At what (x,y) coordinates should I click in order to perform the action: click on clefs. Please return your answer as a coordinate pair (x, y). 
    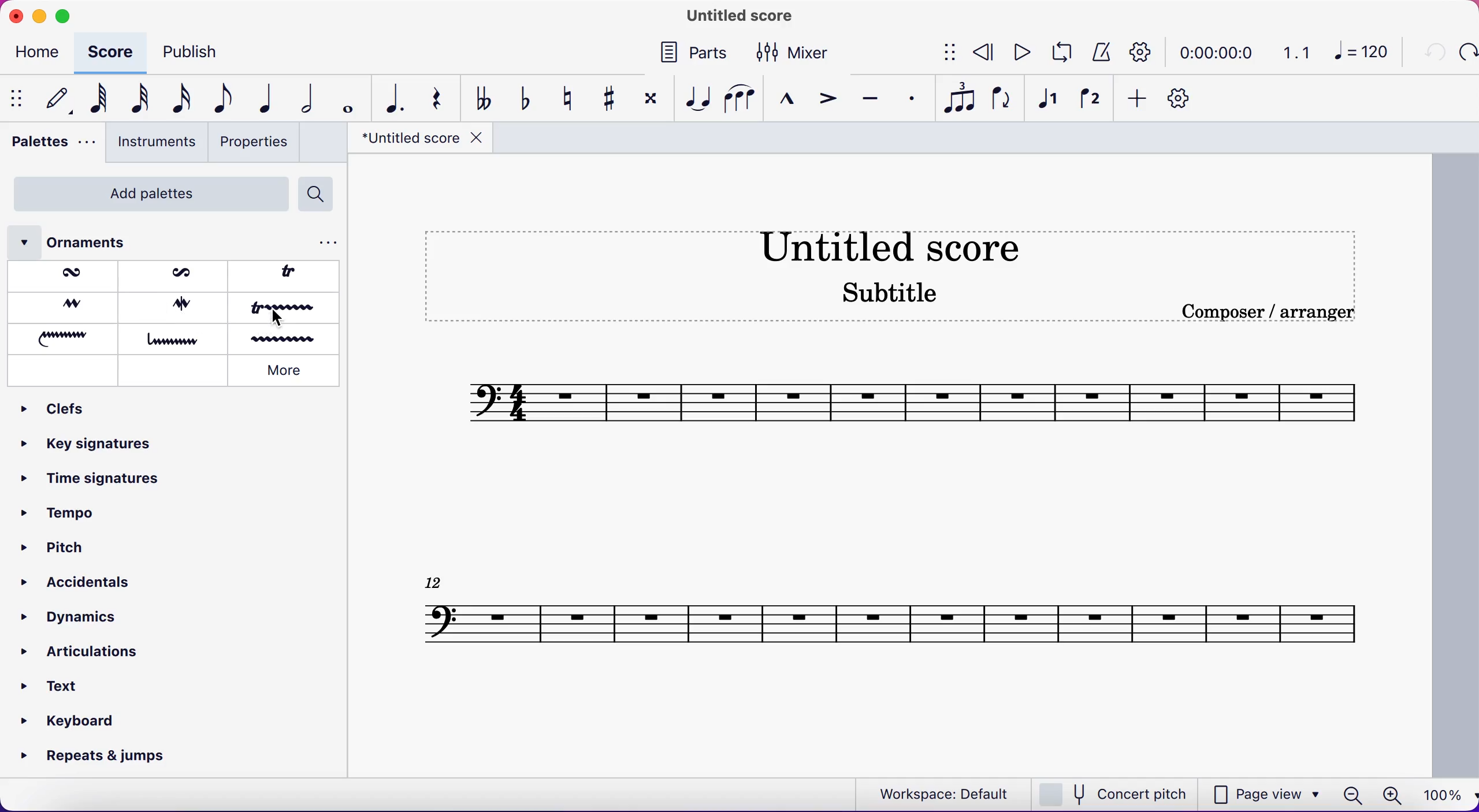
    Looking at the image, I should click on (66, 410).